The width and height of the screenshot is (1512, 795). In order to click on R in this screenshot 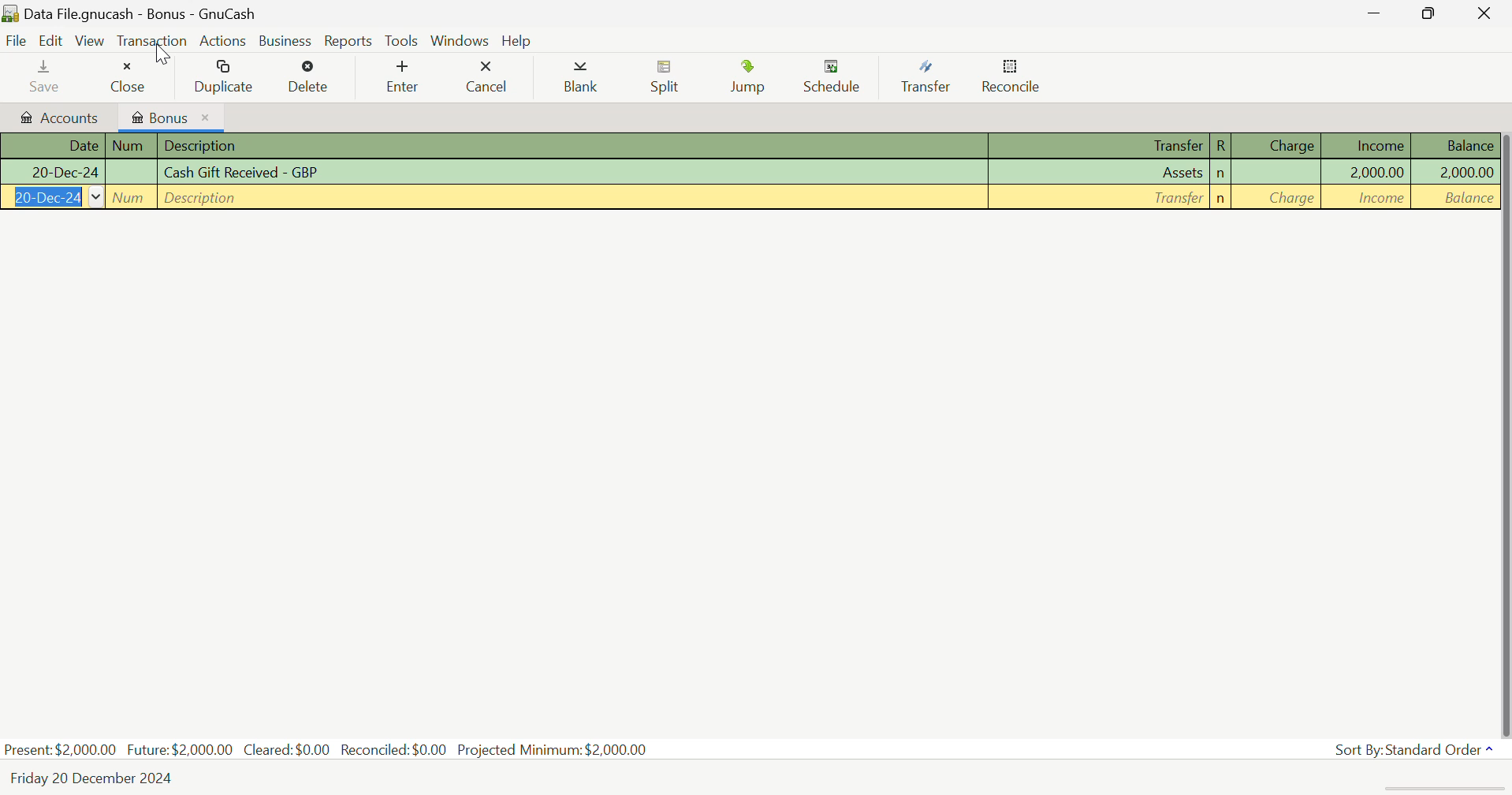, I will do `click(1220, 146)`.